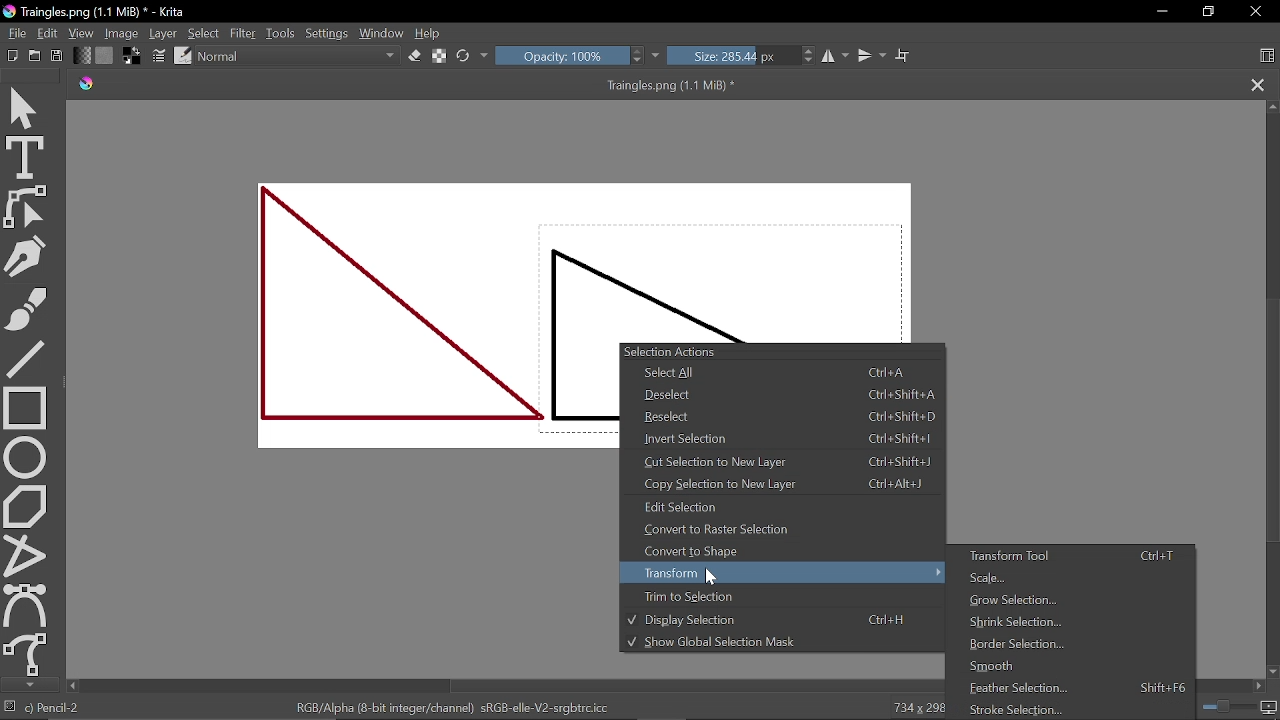  I want to click on Save, so click(58, 56).